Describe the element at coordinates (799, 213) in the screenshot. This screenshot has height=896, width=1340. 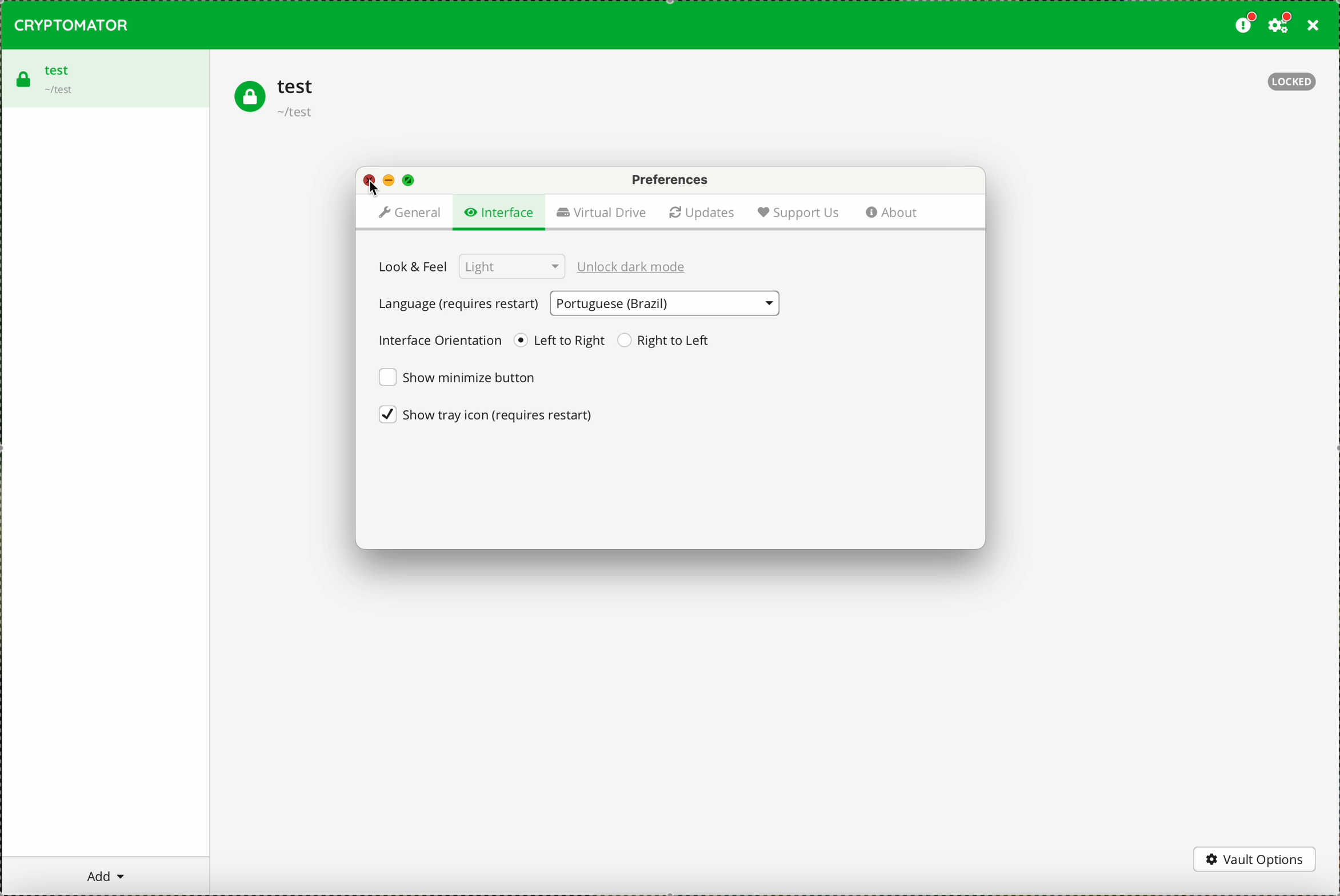
I see `support us` at that location.